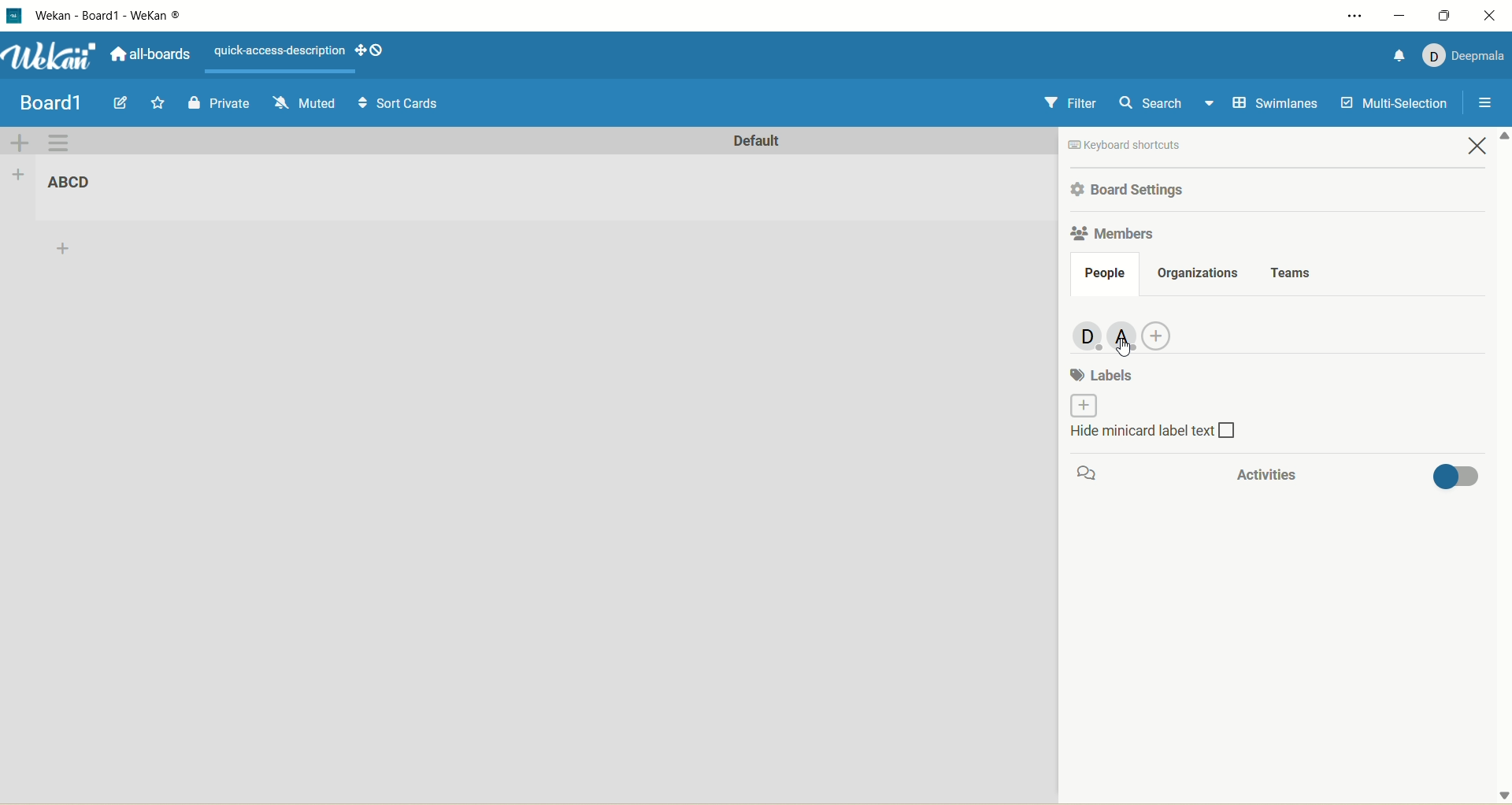 The height and width of the screenshot is (805, 1512). Describe the element at coordinates (59, 144) in the screenshot. I see `swimlane actions` at that location.